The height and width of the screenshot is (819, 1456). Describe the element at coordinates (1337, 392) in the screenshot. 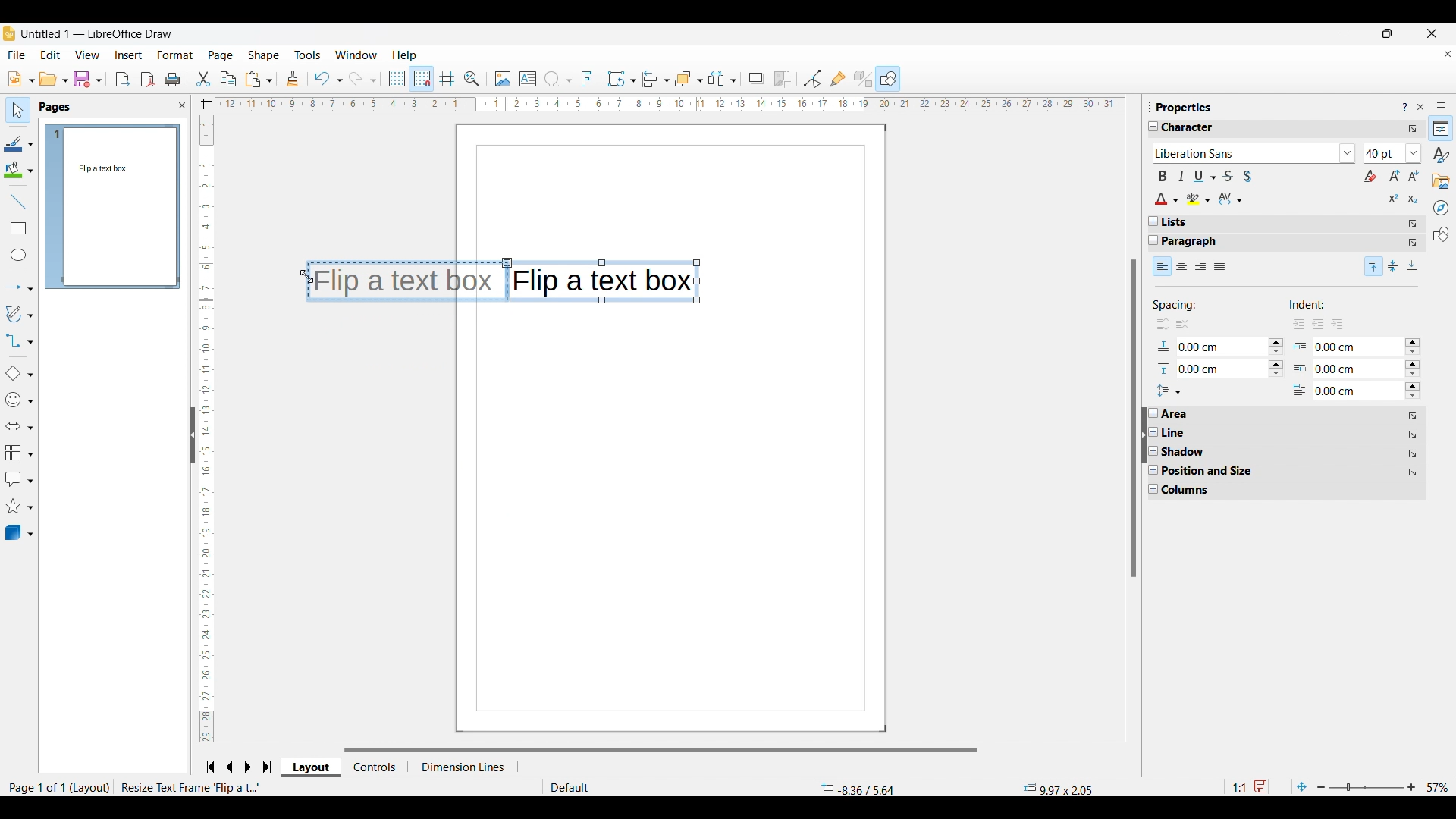

I see `0 cm` at that location.